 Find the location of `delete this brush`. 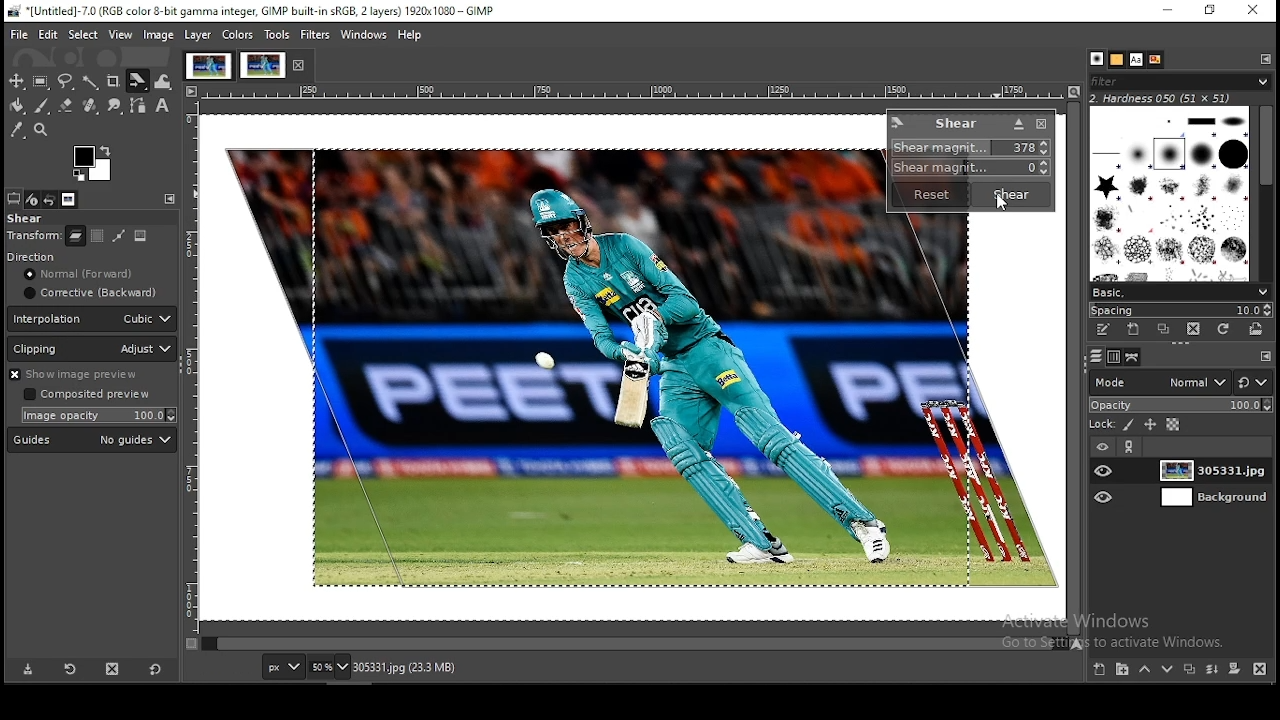

delete this brush is located at coordinates (1193, 329).